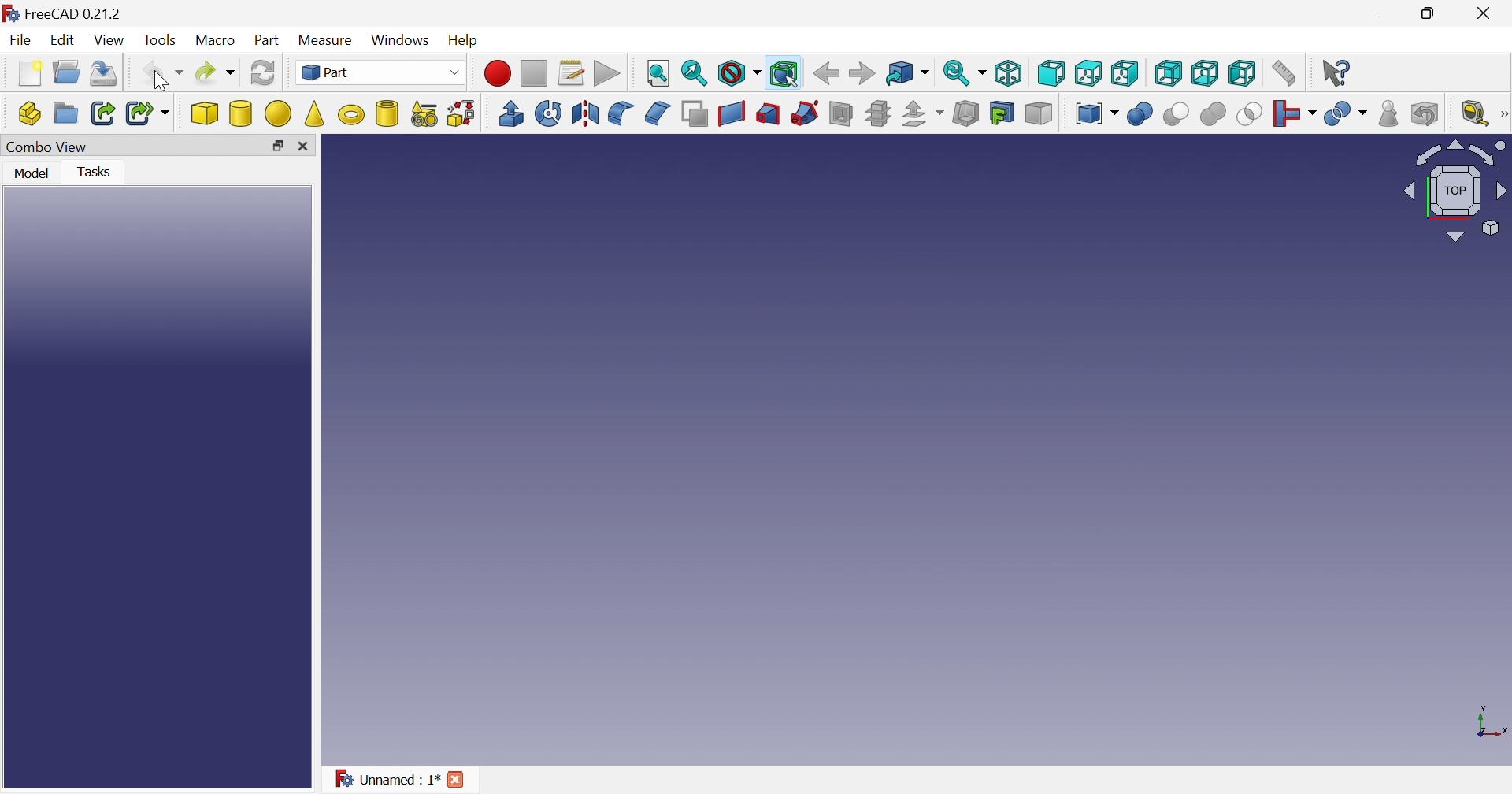  I want to click on Left, so click(1243, 72).